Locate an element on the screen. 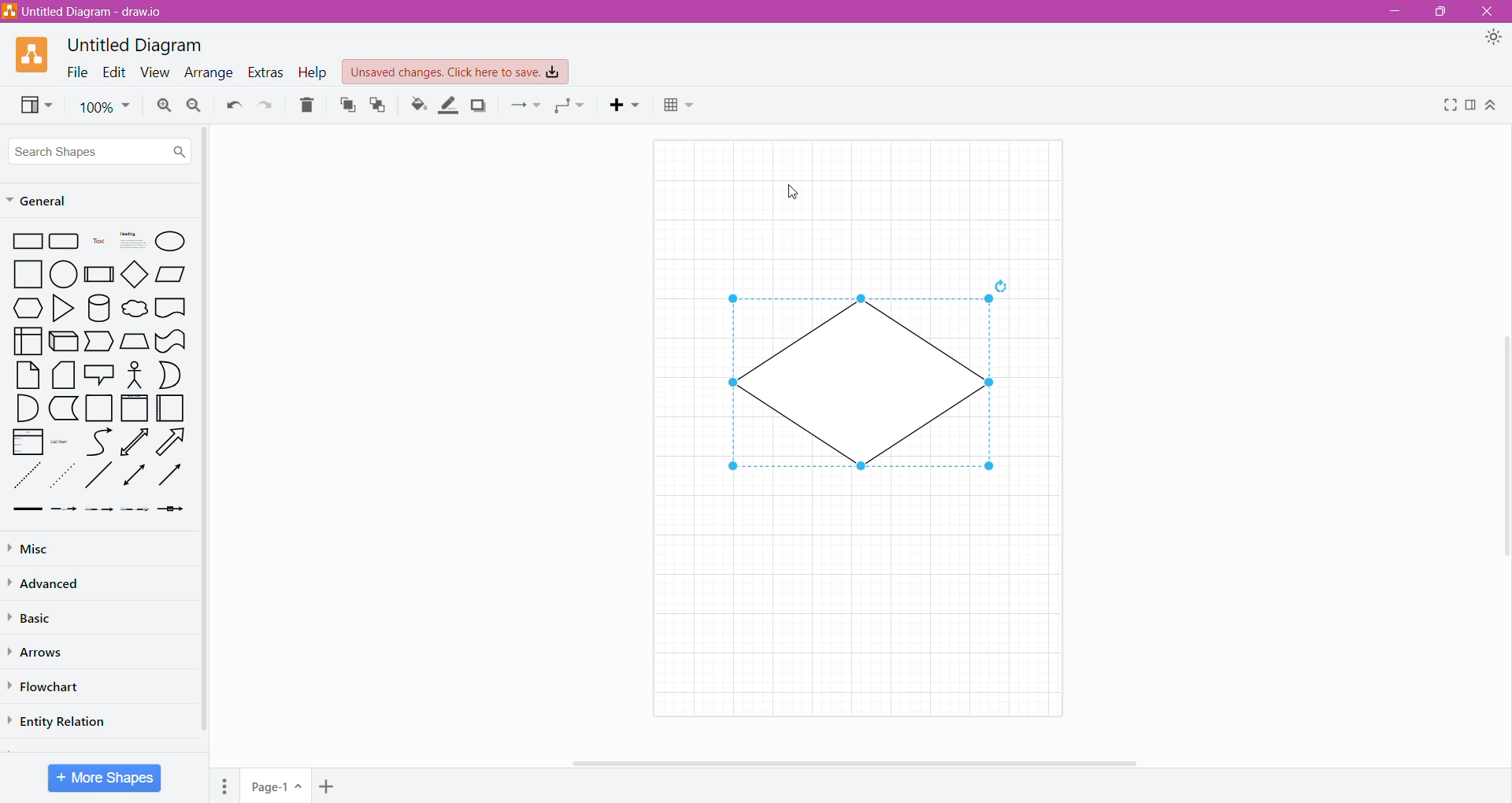  Insert Page is located at coordinates (328, 785).